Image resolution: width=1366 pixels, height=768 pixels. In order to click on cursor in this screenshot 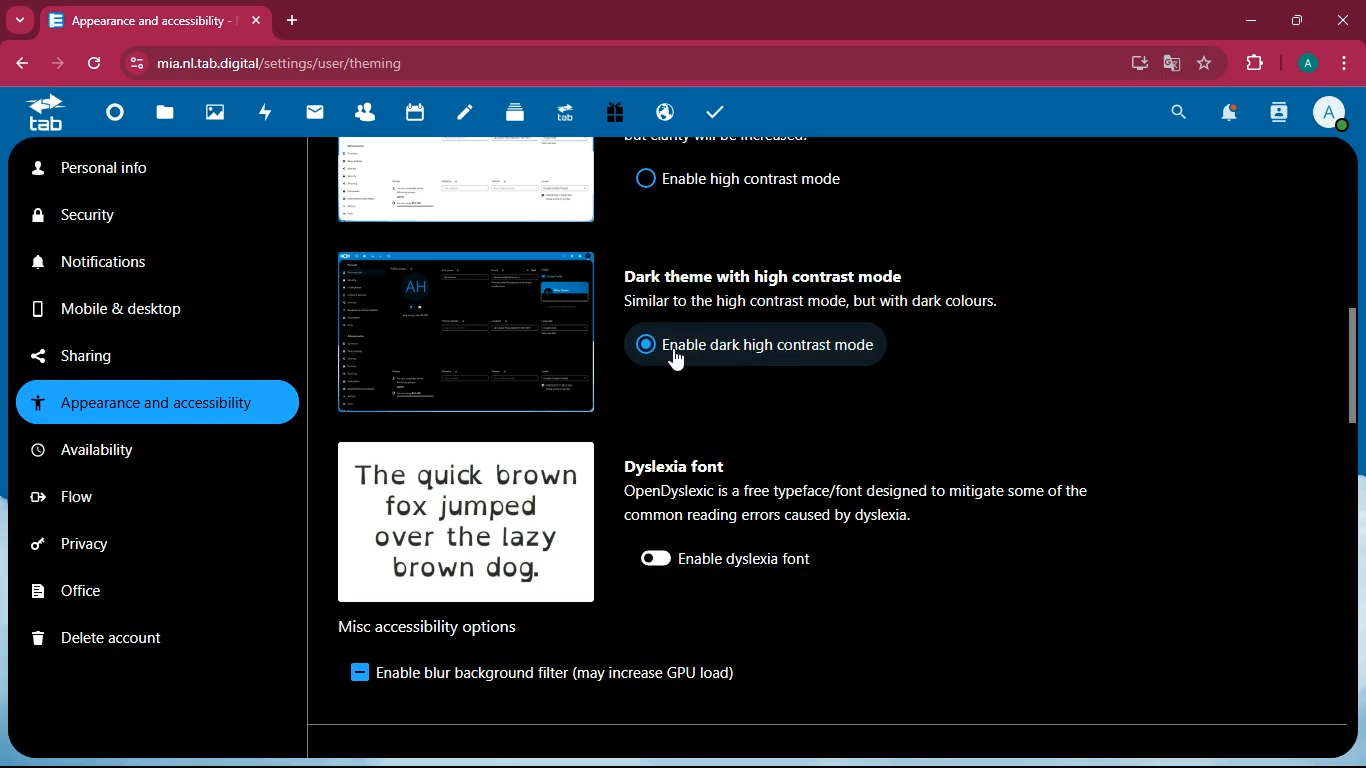, I will do `click(680, 363)`.